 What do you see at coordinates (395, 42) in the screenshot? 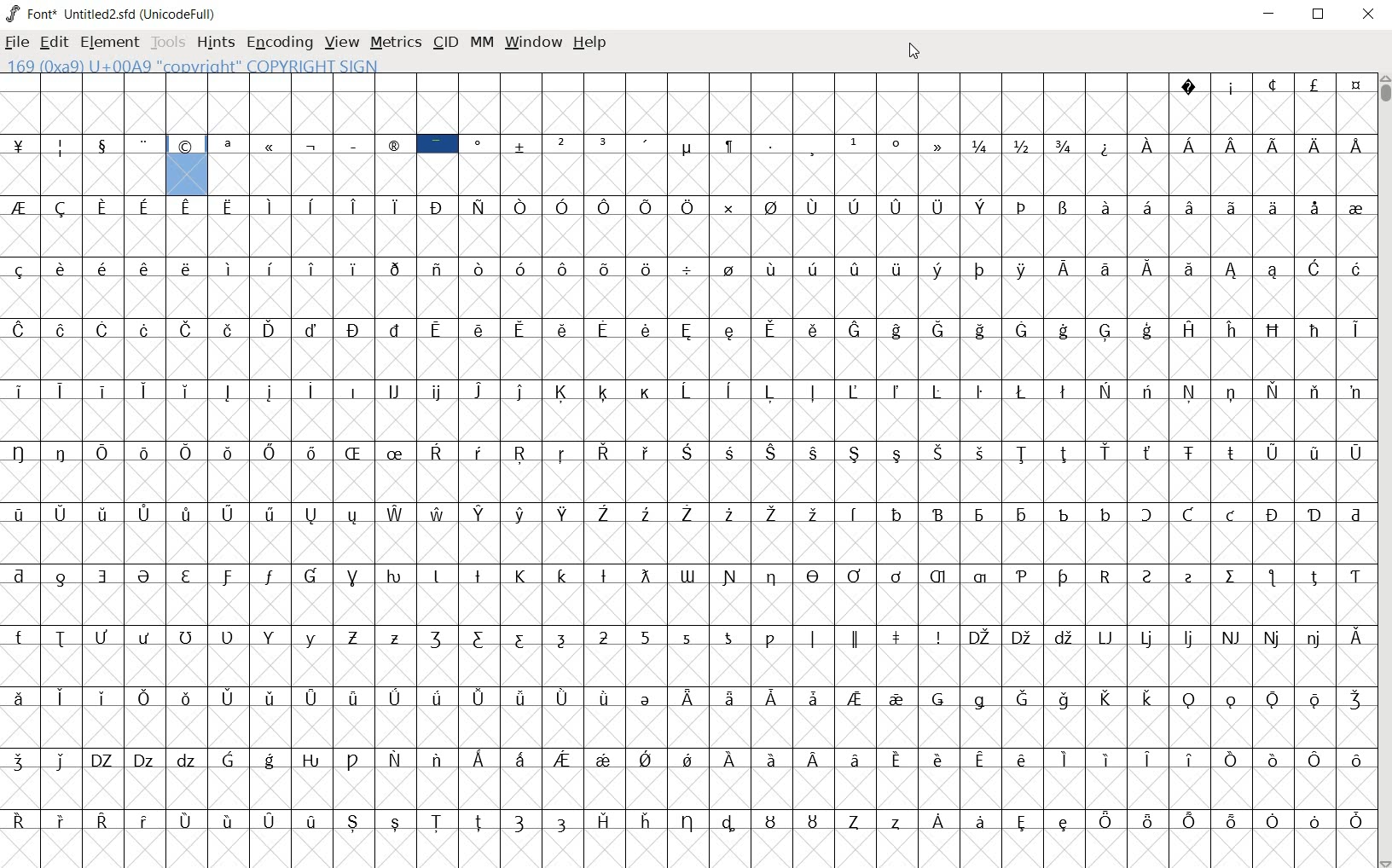
I see `metrics` at bounding box center [395, 42].